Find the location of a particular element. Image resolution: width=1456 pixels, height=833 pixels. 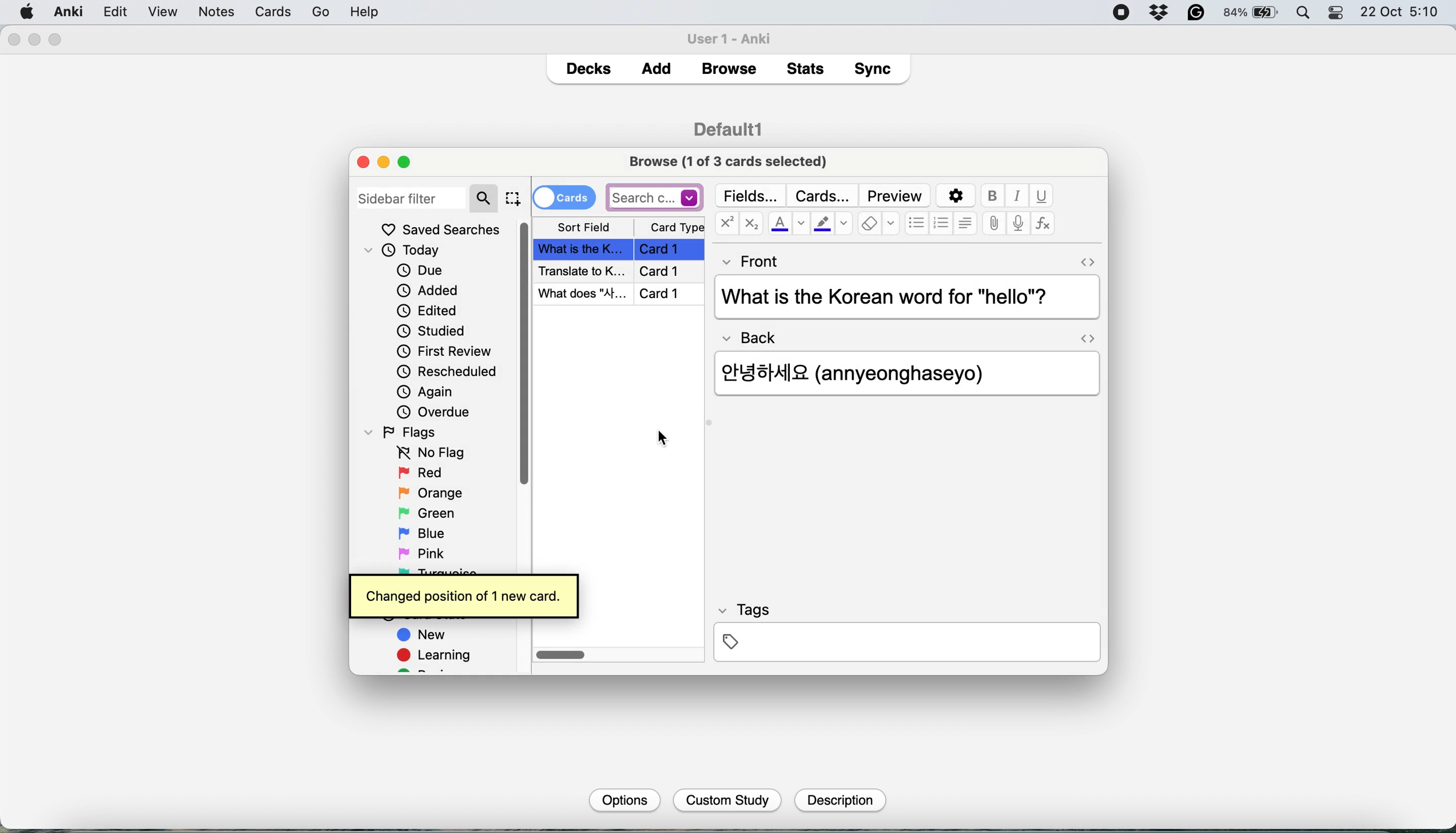

Back is located at coordinates (755, 334).